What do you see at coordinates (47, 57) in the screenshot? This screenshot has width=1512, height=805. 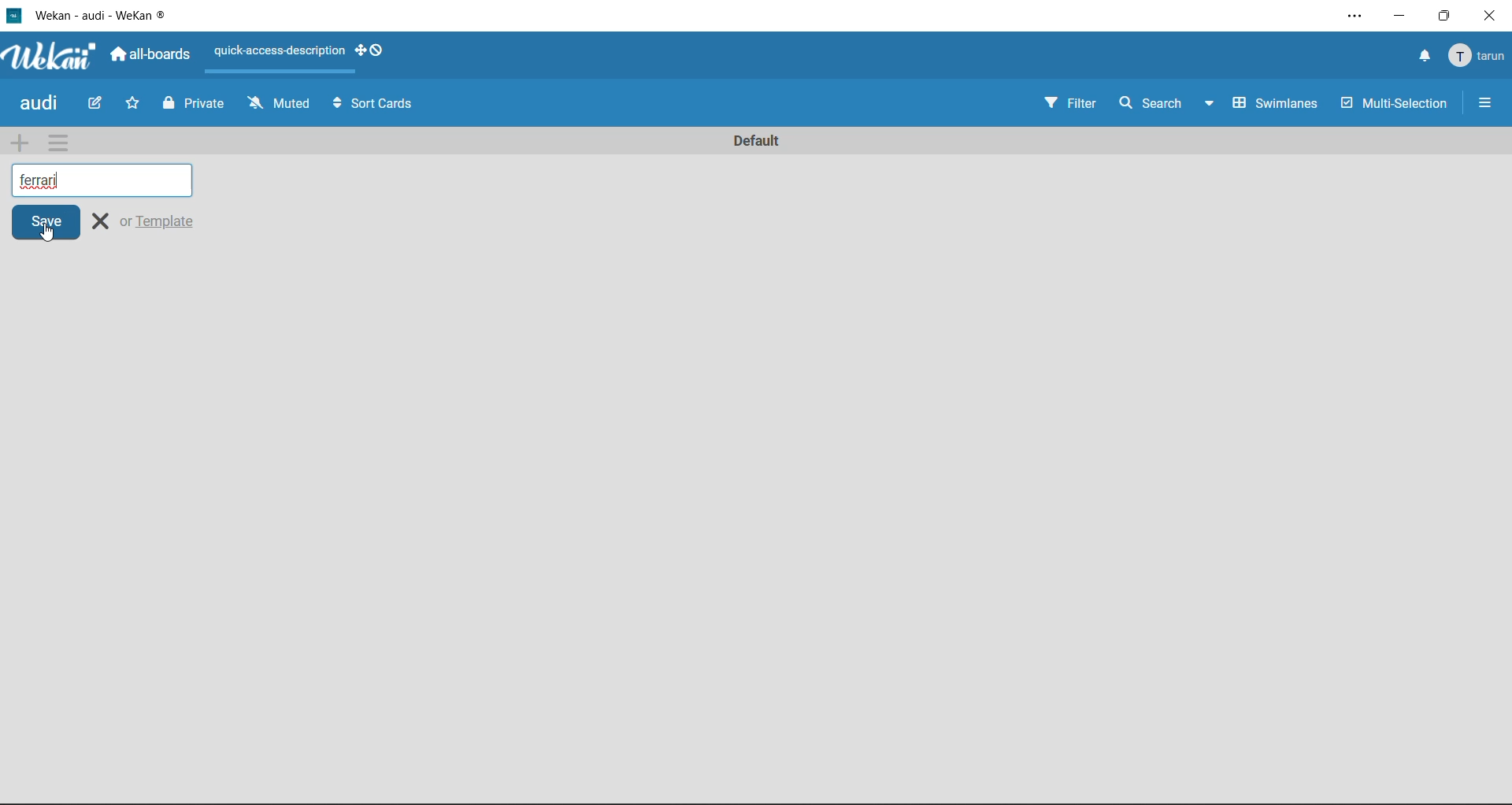 I see `app logo Wekan` at bounding box center [47, 57].